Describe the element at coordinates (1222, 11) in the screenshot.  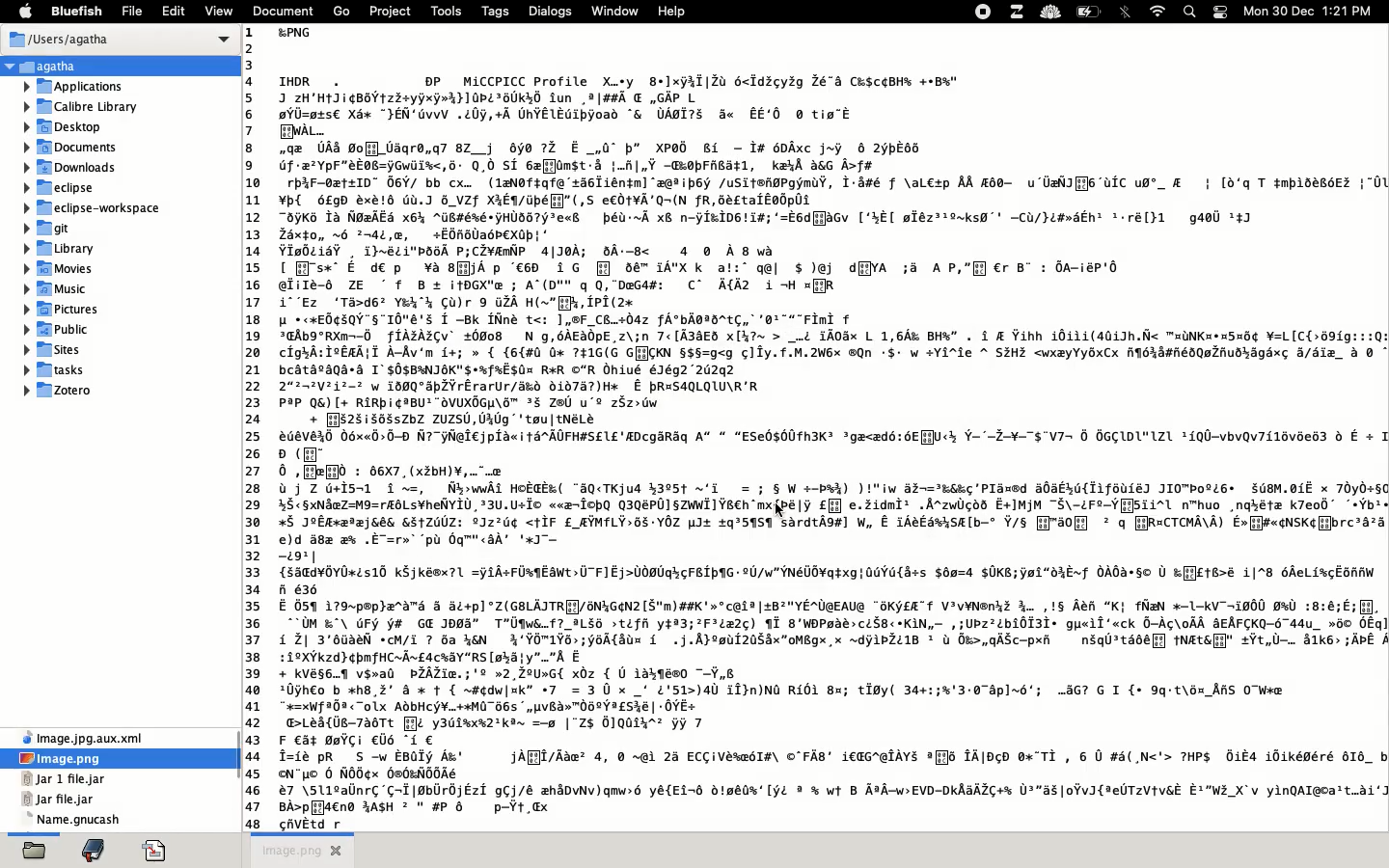
I see `notification` at that location.